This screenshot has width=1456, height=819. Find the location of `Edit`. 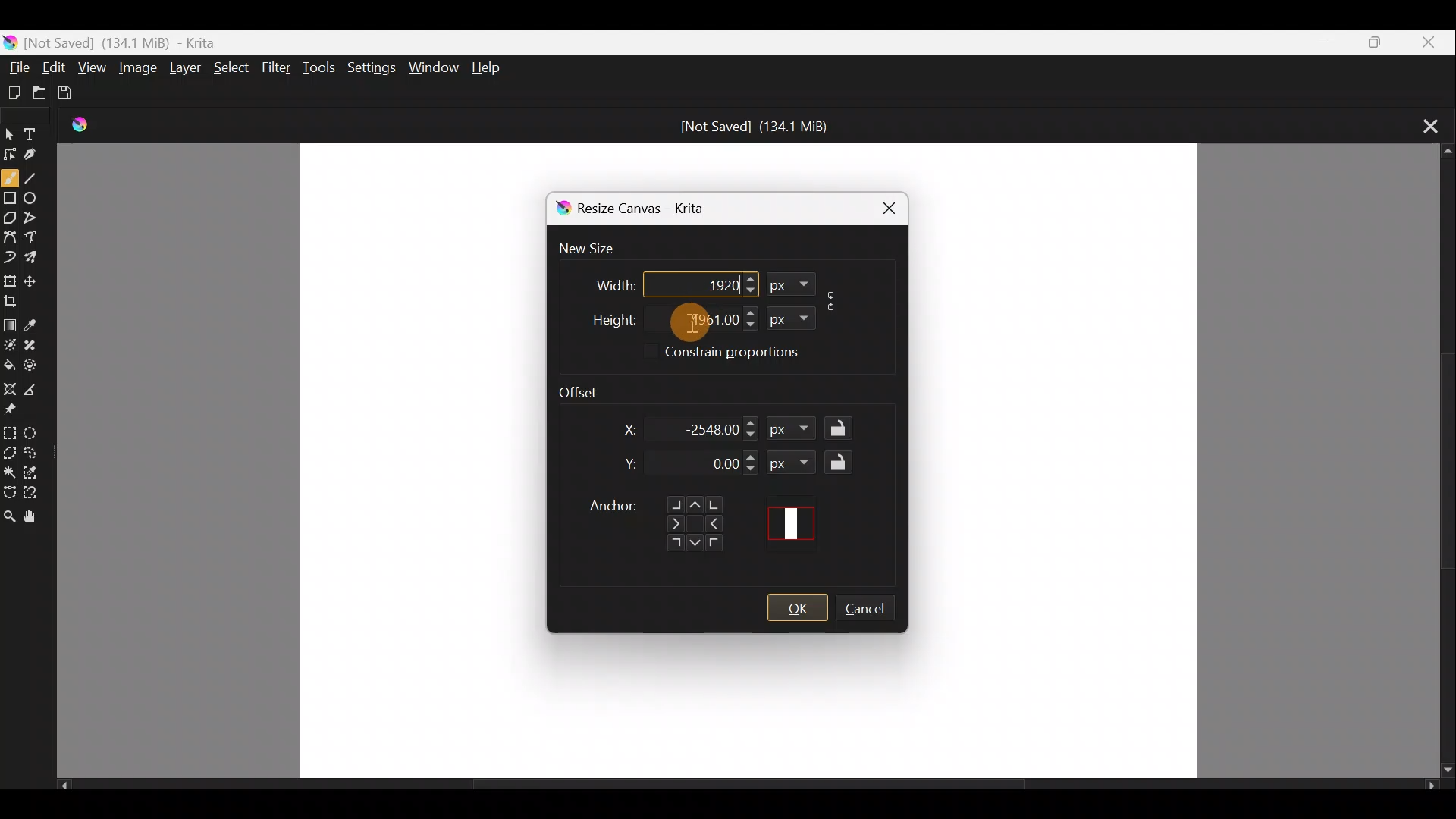

Edit is located at coordinates (55, 67).